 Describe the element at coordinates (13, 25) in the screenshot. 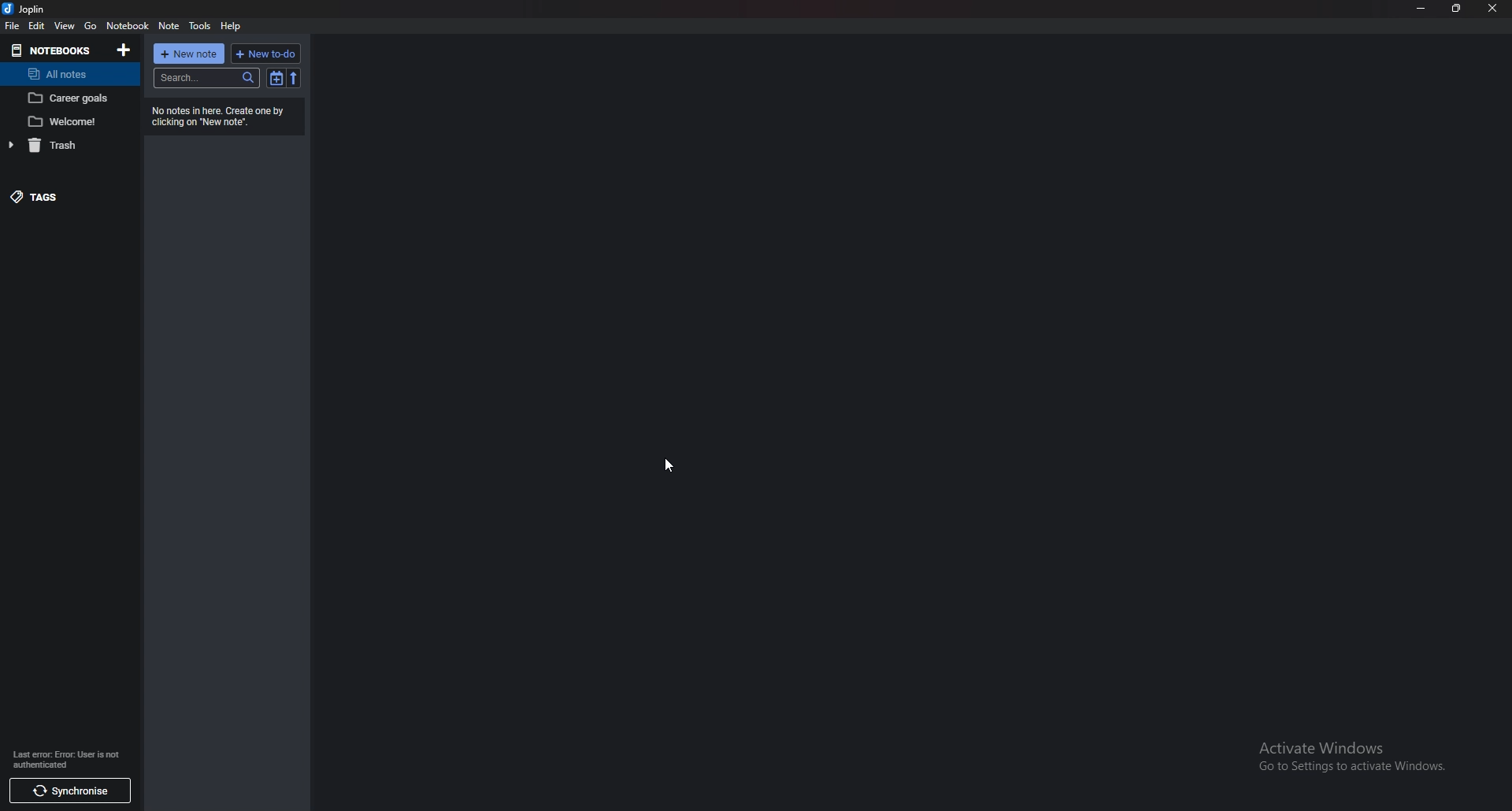

I see `file` at that location.